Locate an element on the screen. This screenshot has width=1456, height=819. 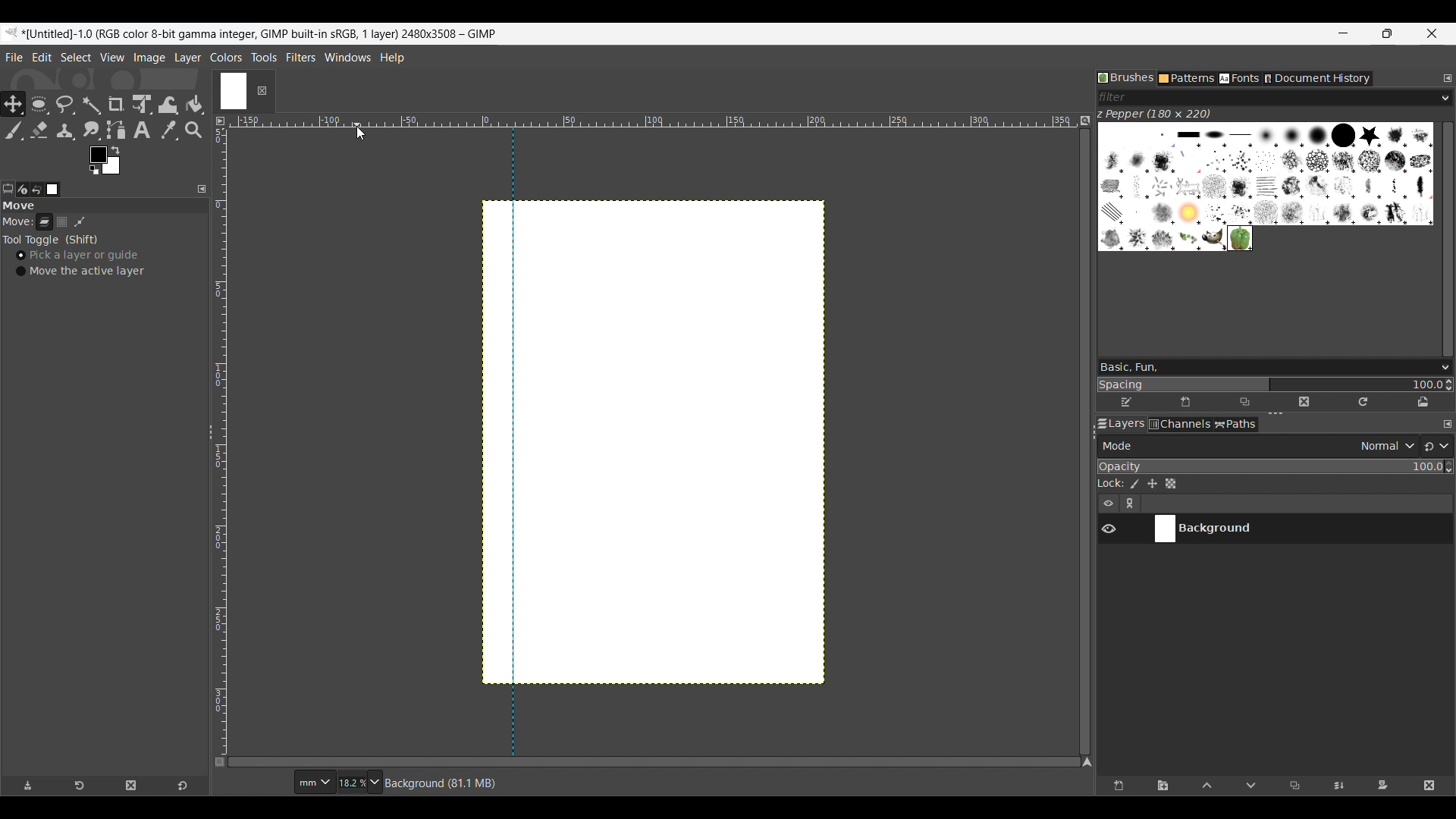
Brush filter options is located at coordinates (1445, 99).